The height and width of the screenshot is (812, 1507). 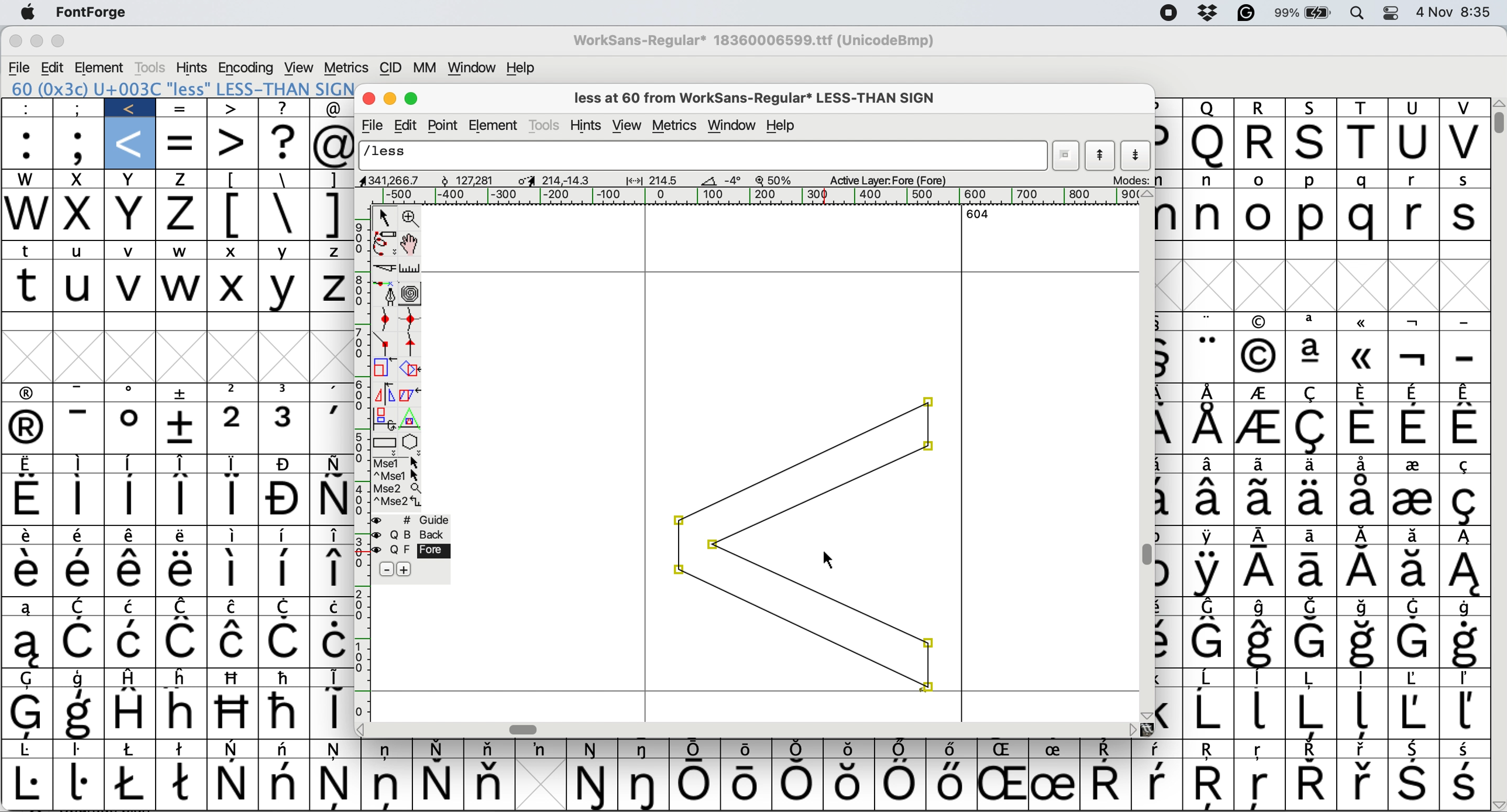 I want to click on :, so click(x=27, y=143).